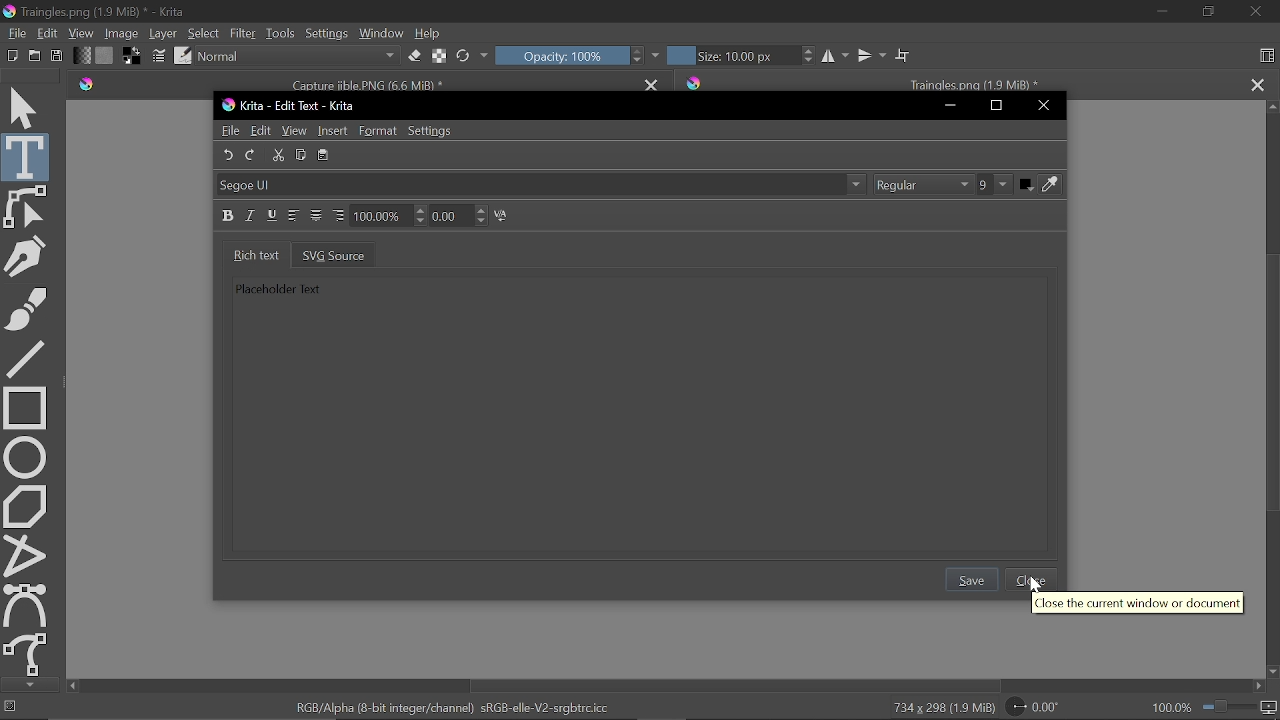 The height and width of the screenshot is (720, 1280). Describe the element at coordinates (1034, 585) in the screenshot. I see `cursor` at that location.